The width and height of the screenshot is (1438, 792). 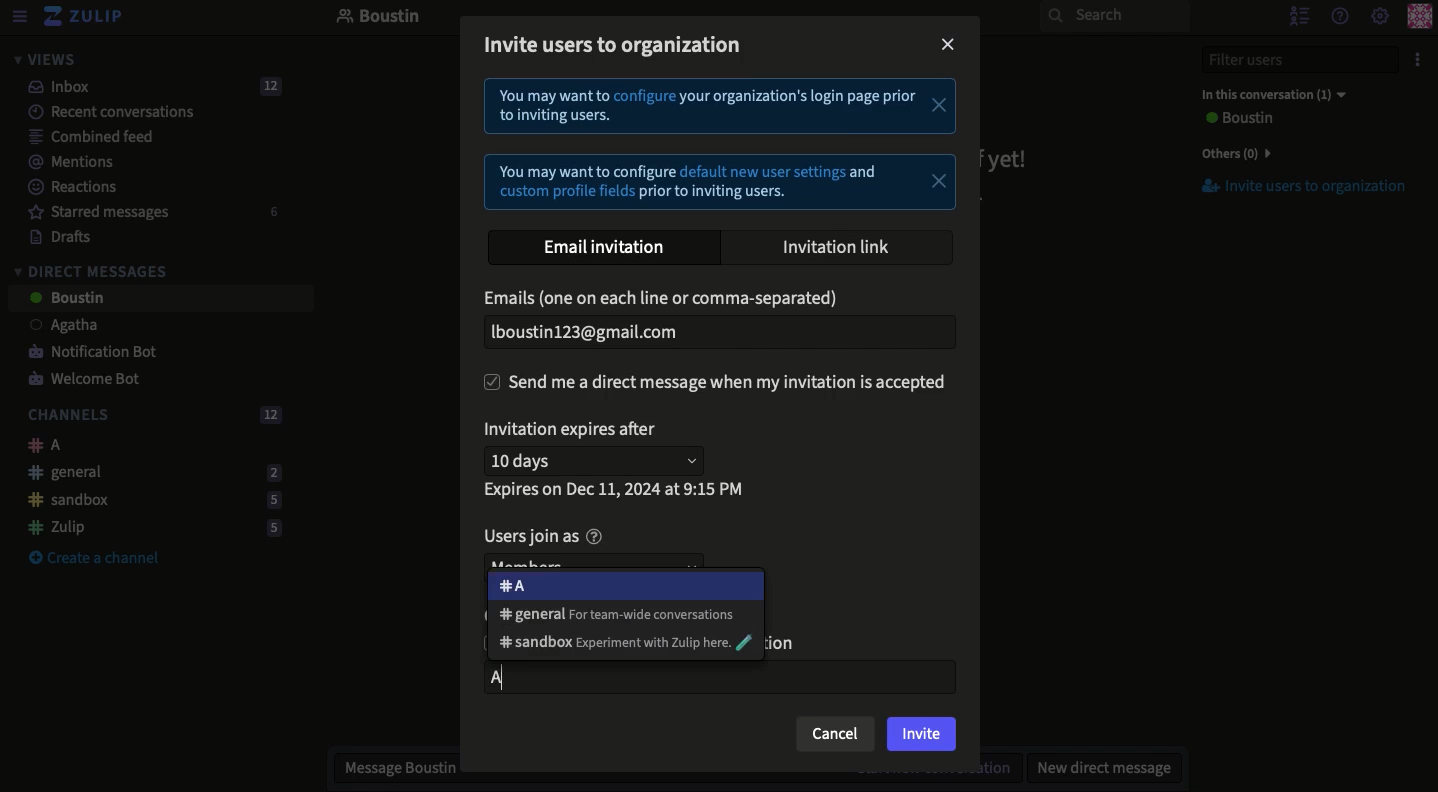 What do you see at coordinates (607, 247) in the screenshot?
I see `Email invitation ` at bounding box center [607, 247].